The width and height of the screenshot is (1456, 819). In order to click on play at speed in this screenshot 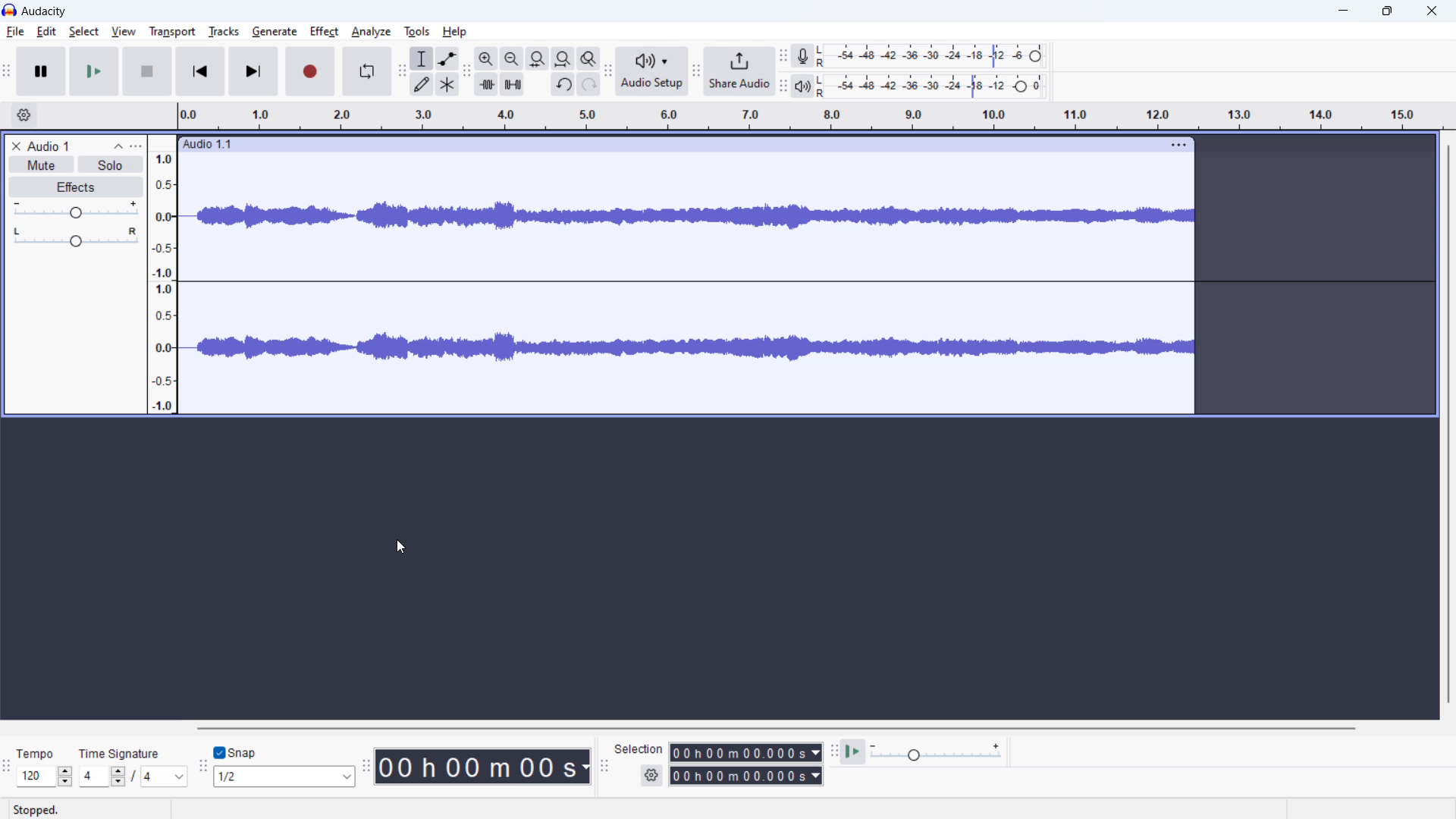, I will do `click(853, 752)`.